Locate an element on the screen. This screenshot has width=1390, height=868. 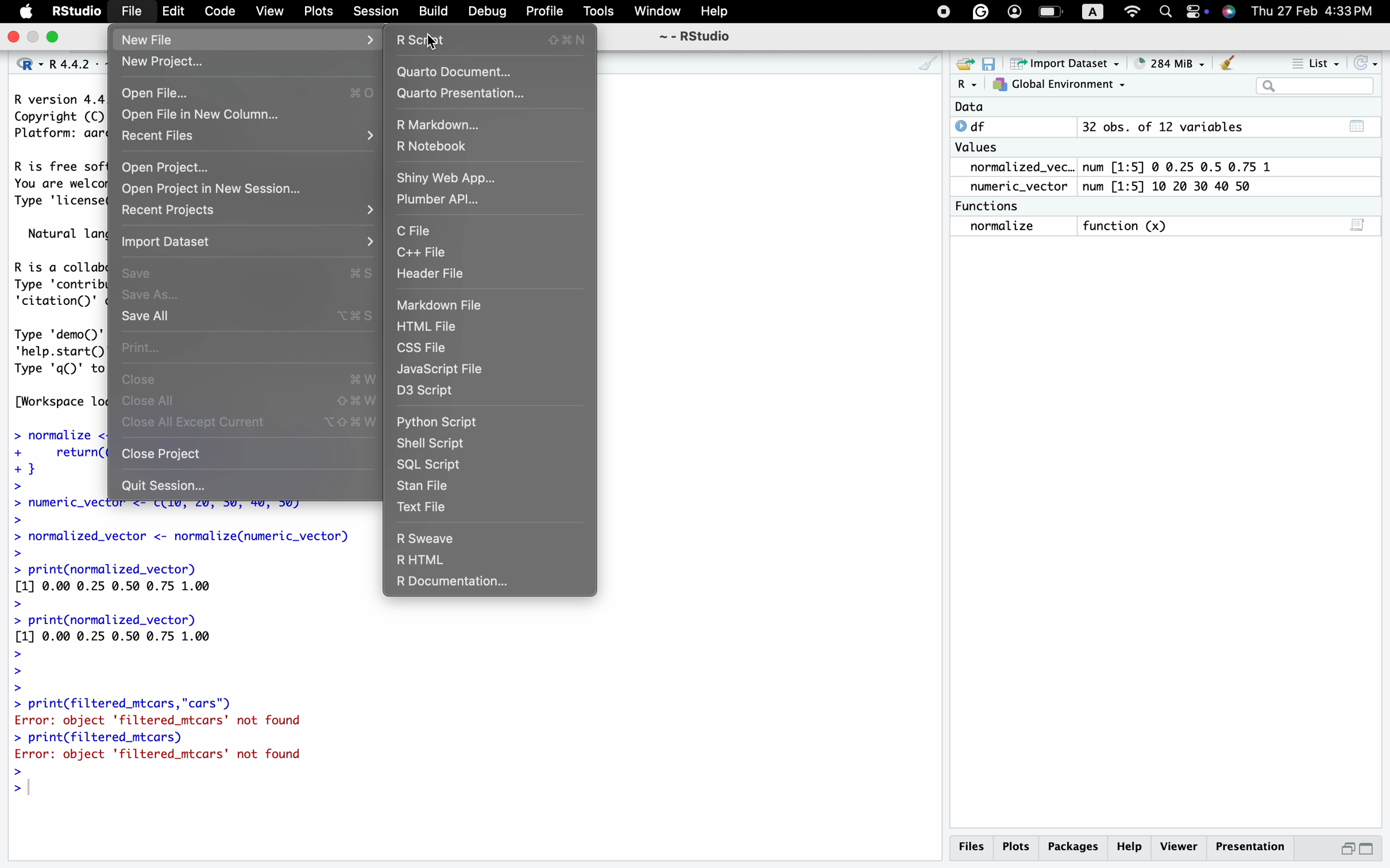
Print... is located at coordinates (142, 347).